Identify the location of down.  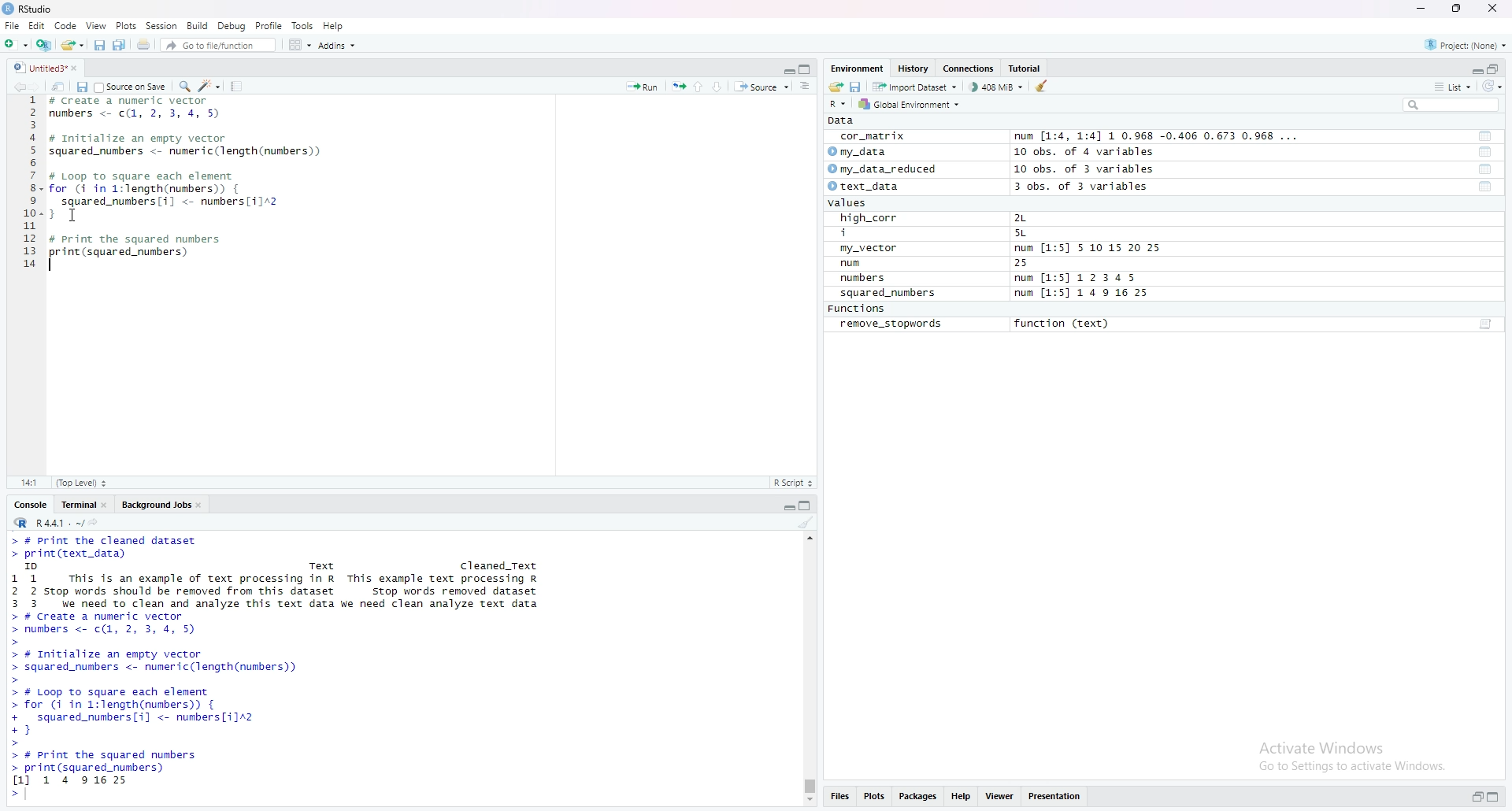
(718, 86).